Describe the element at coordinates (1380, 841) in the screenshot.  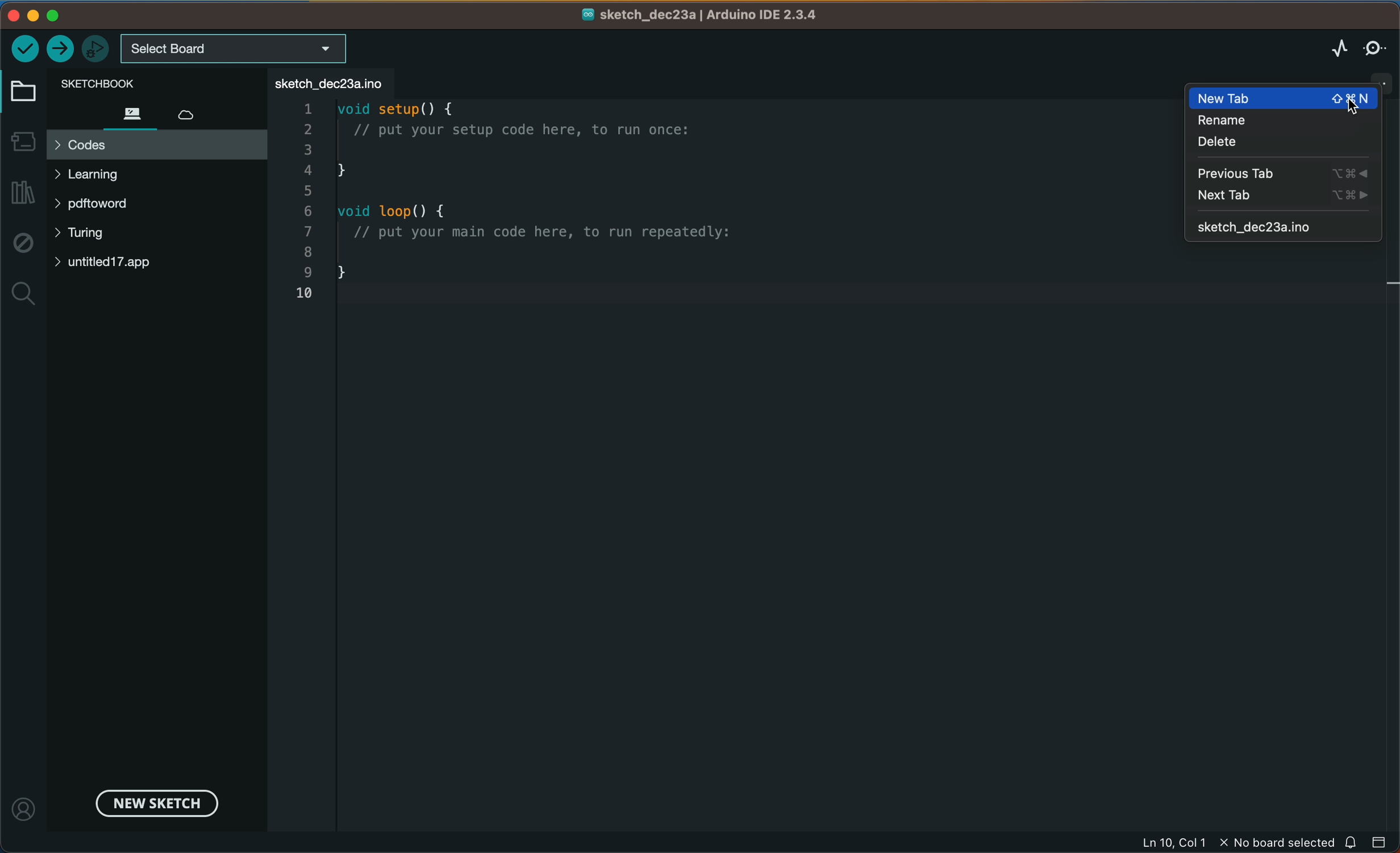
I see `close slide bar` at that location.